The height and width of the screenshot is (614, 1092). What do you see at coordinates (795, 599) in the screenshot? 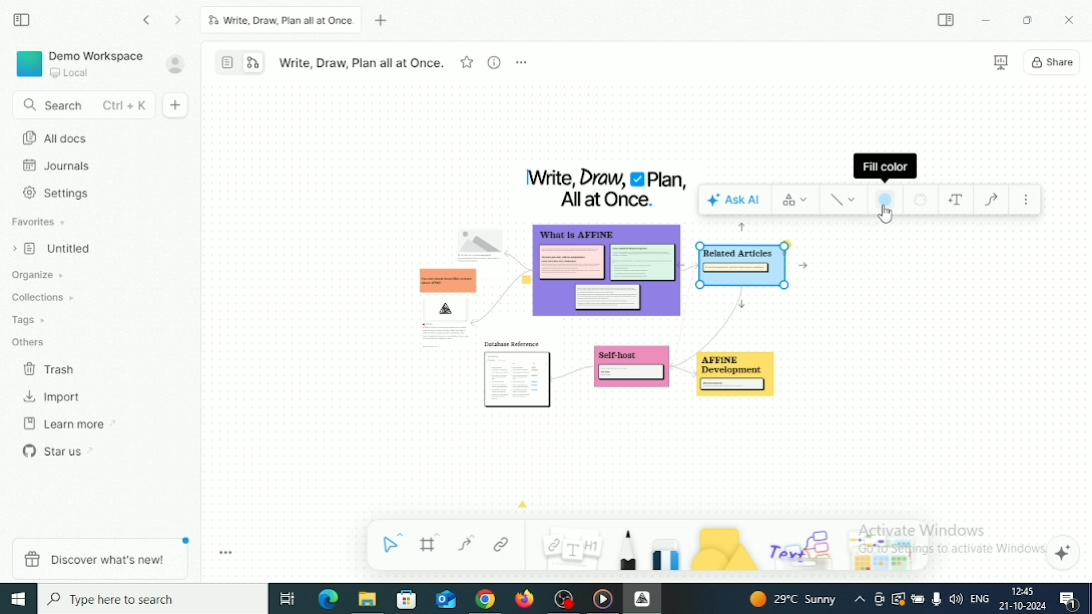
I see `Temperature` at bounding box center [795, 599].